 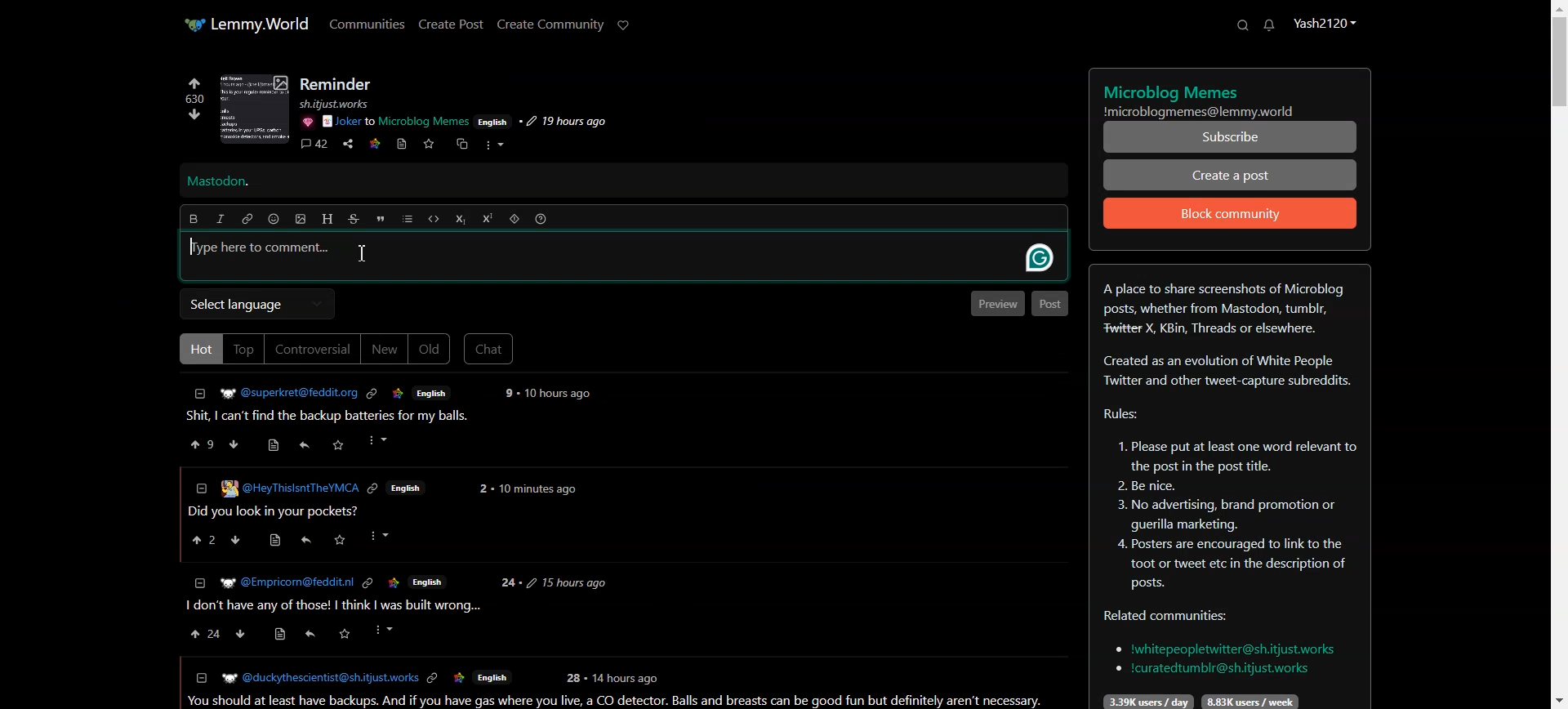 What do you see at coordinates (1242, 25) in the screenshot?
I see `Search` at bounding box center [1242, 25].